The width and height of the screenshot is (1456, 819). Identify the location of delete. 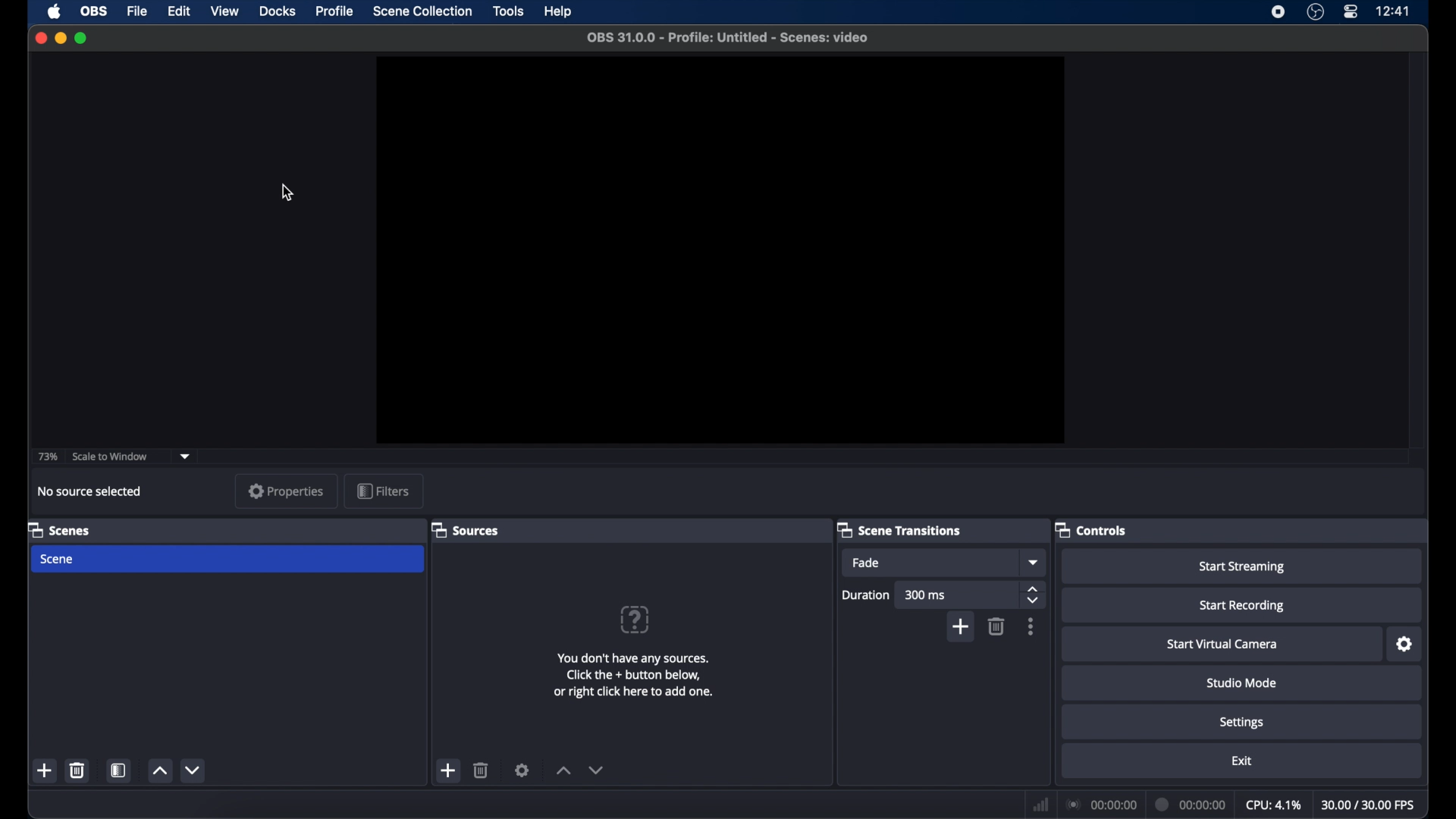
(999, 626).